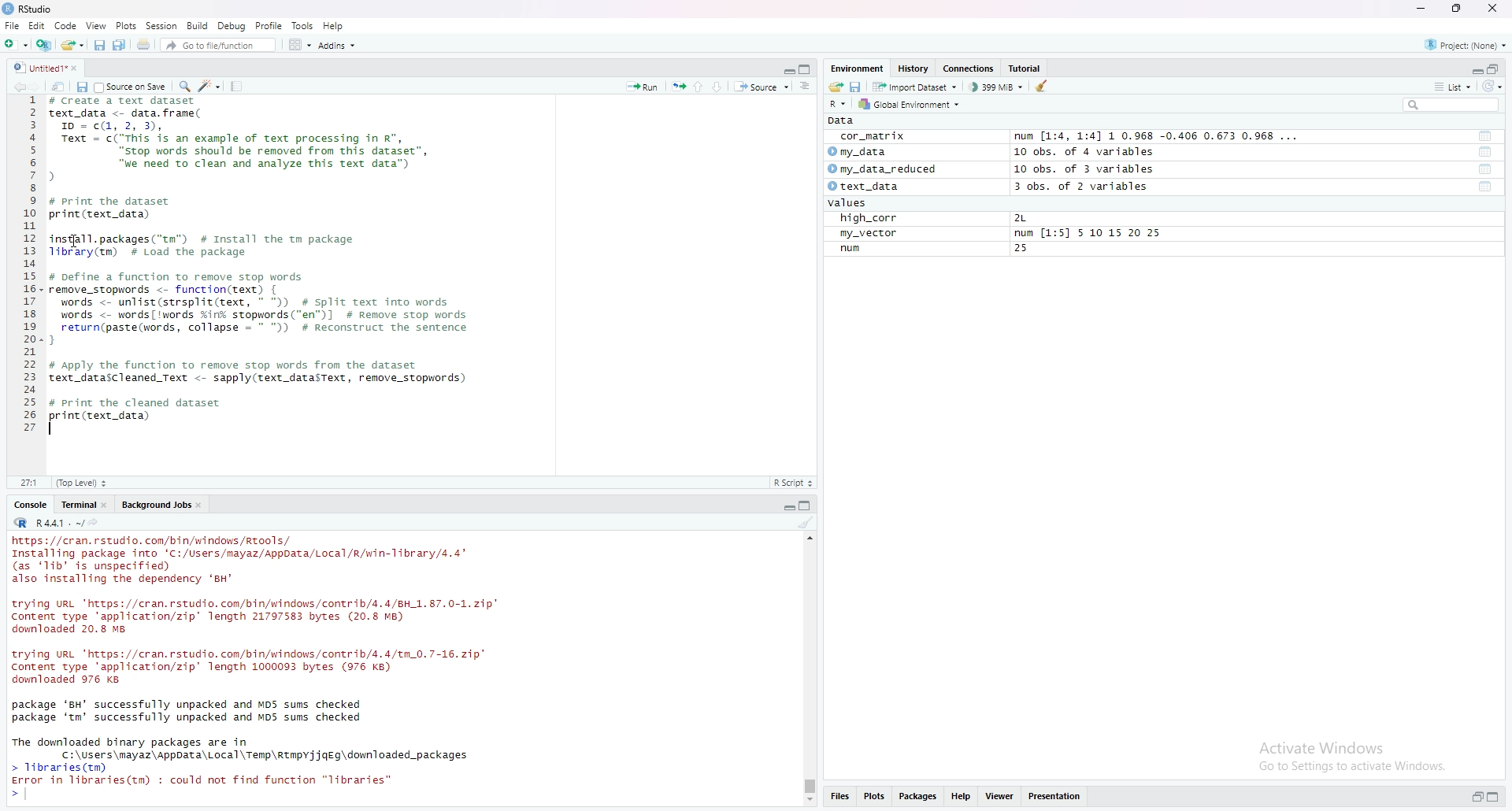 This screenshot has width=1512, height=811. What do you see at coordinates (239, 85) in the screenshot?
I see `compile report` at bounding box center [239, 85].